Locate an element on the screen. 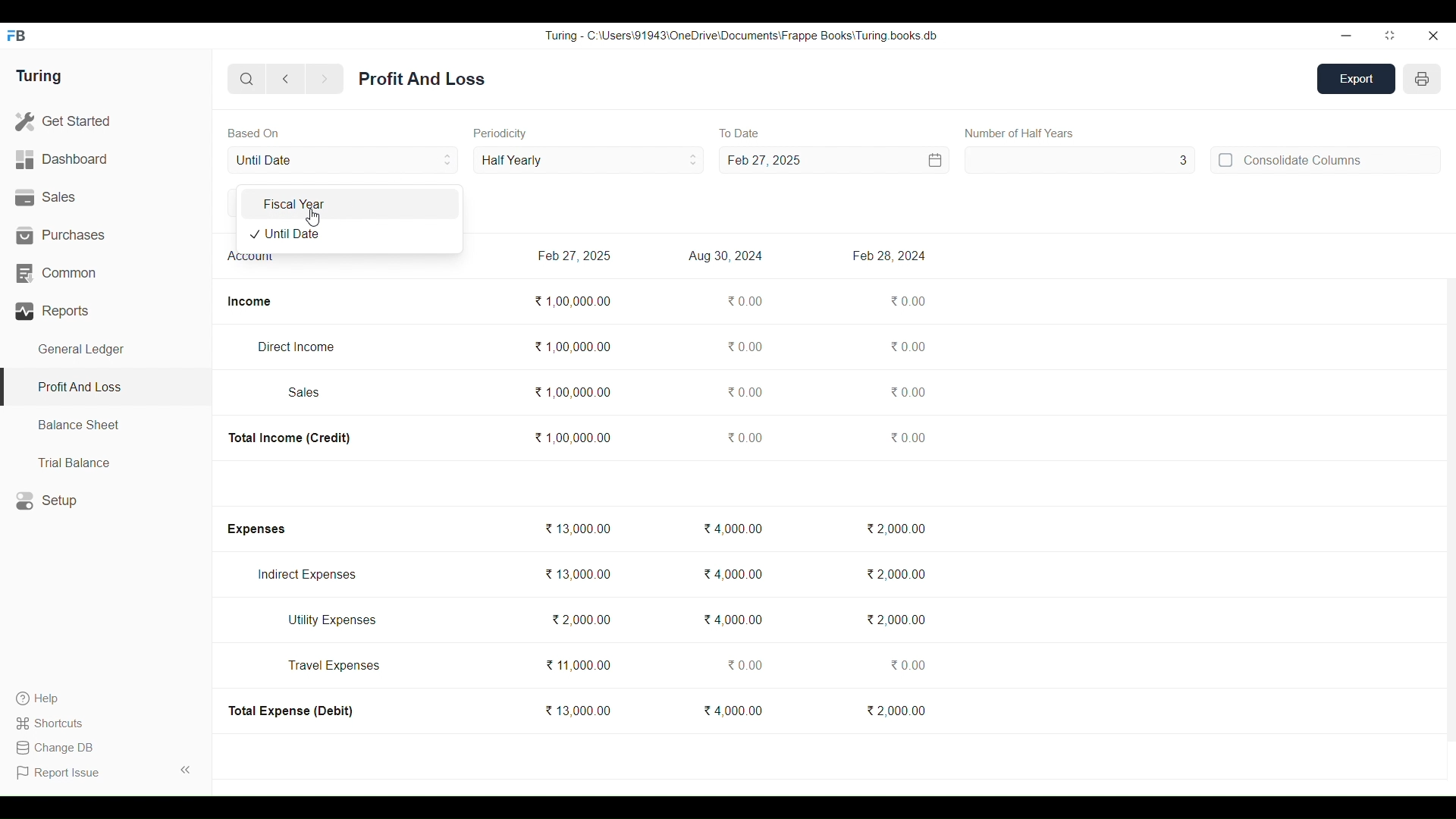  Turing is located at coordinates (38, 77).